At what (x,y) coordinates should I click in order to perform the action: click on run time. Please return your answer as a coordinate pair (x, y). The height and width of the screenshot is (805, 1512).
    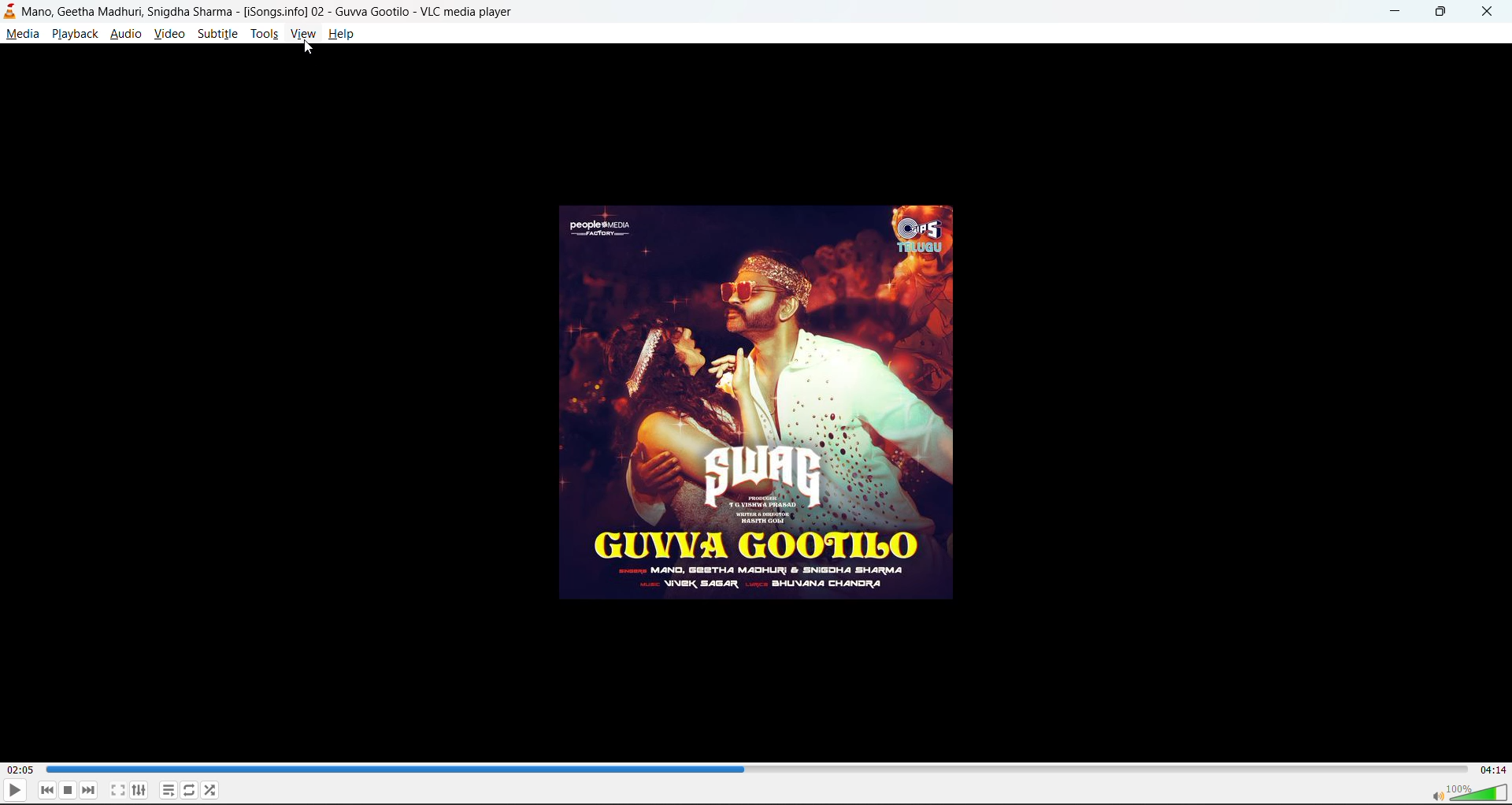
    Looking at the image, I should click on (20, 771).